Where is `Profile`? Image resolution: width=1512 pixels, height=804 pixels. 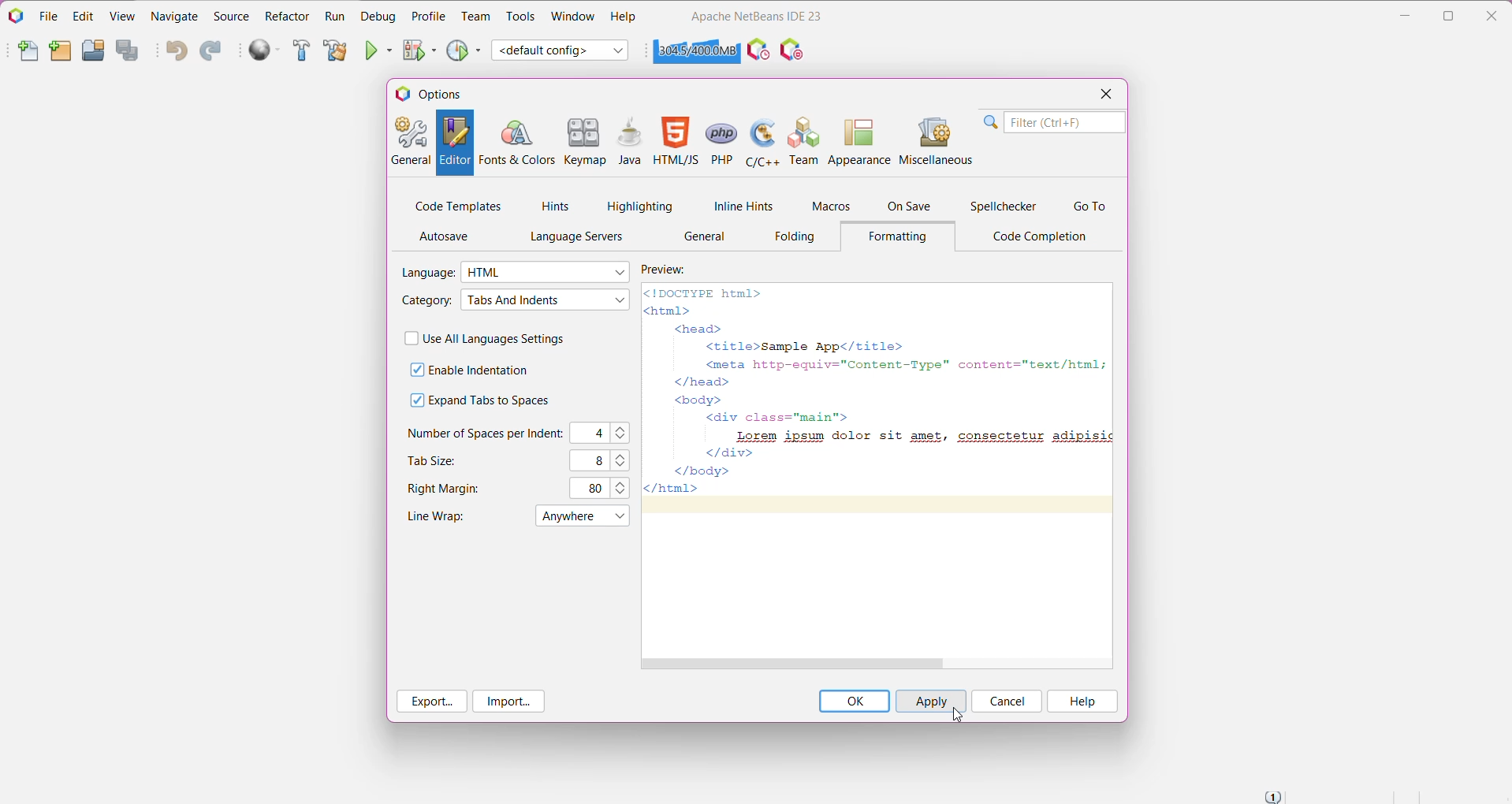 Profile is located at coordinates (429, 16).